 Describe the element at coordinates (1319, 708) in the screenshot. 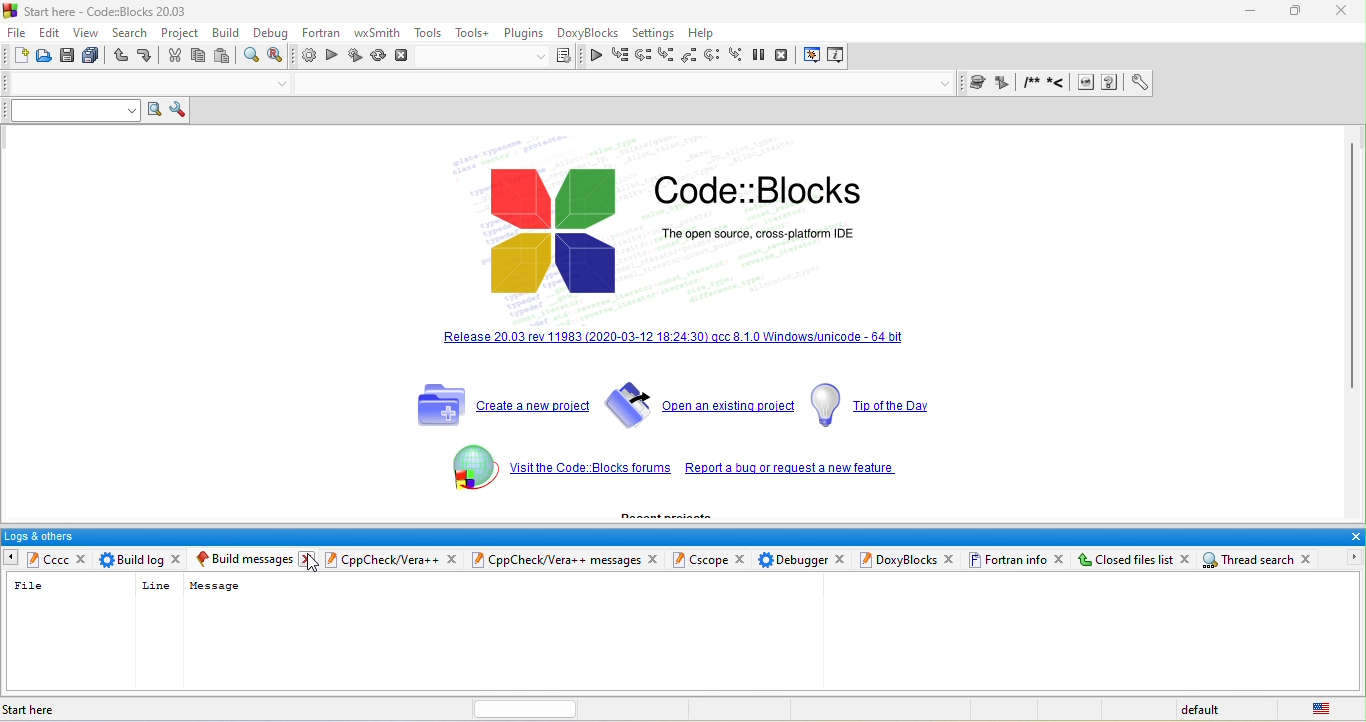

I see `united state` at that location.